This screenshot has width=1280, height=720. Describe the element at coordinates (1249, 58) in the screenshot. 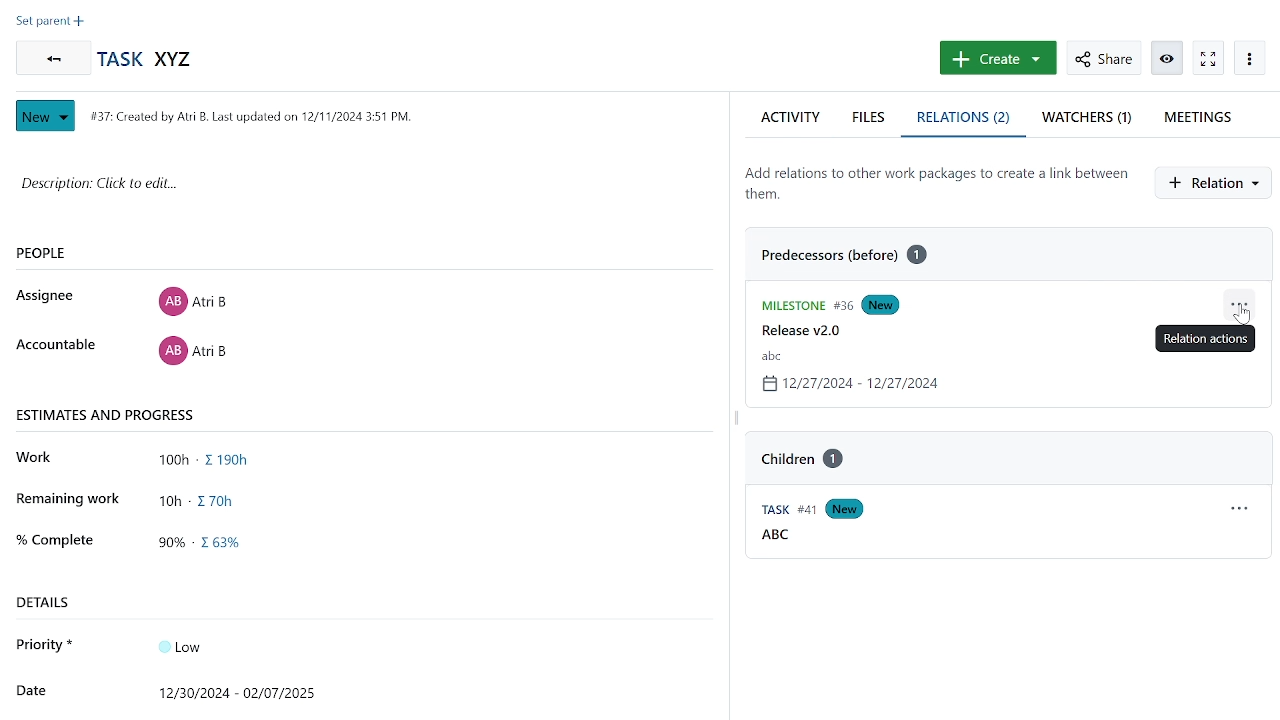

I see `more options` at that location.